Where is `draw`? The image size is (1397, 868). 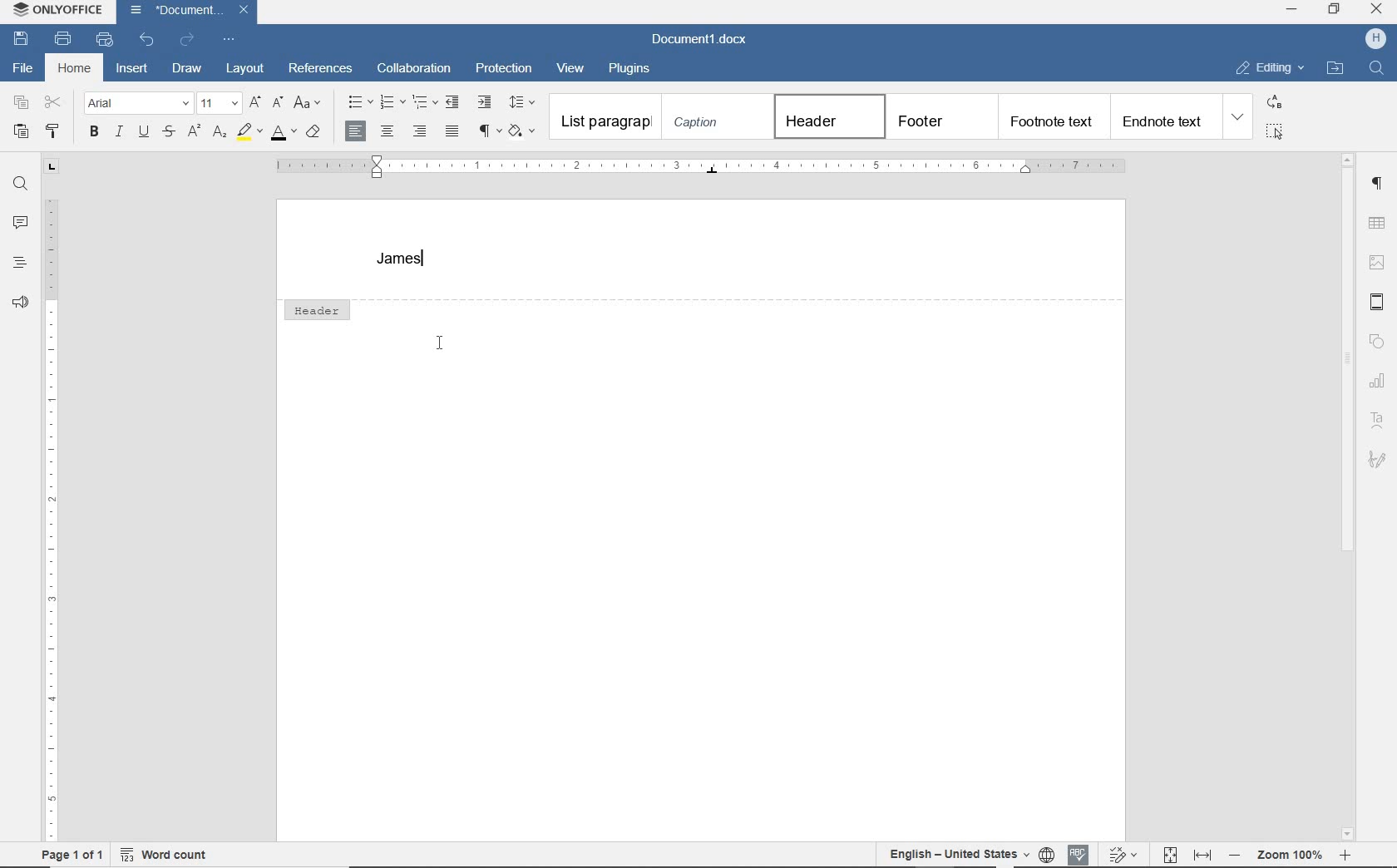 draw is located at coordinates (187, 67).